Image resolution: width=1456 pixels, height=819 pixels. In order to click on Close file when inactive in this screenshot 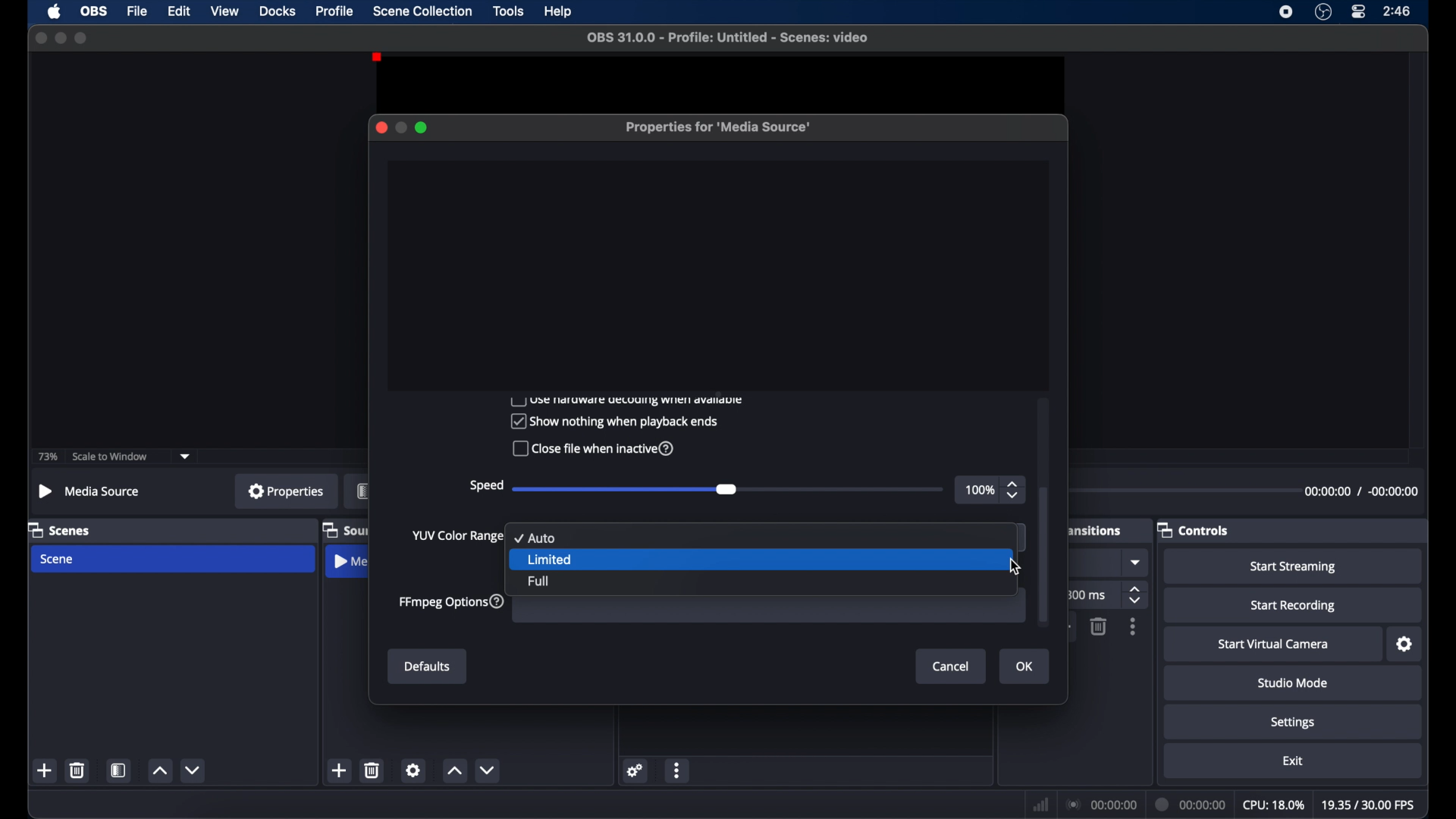, I will do `click(591, 448)`.